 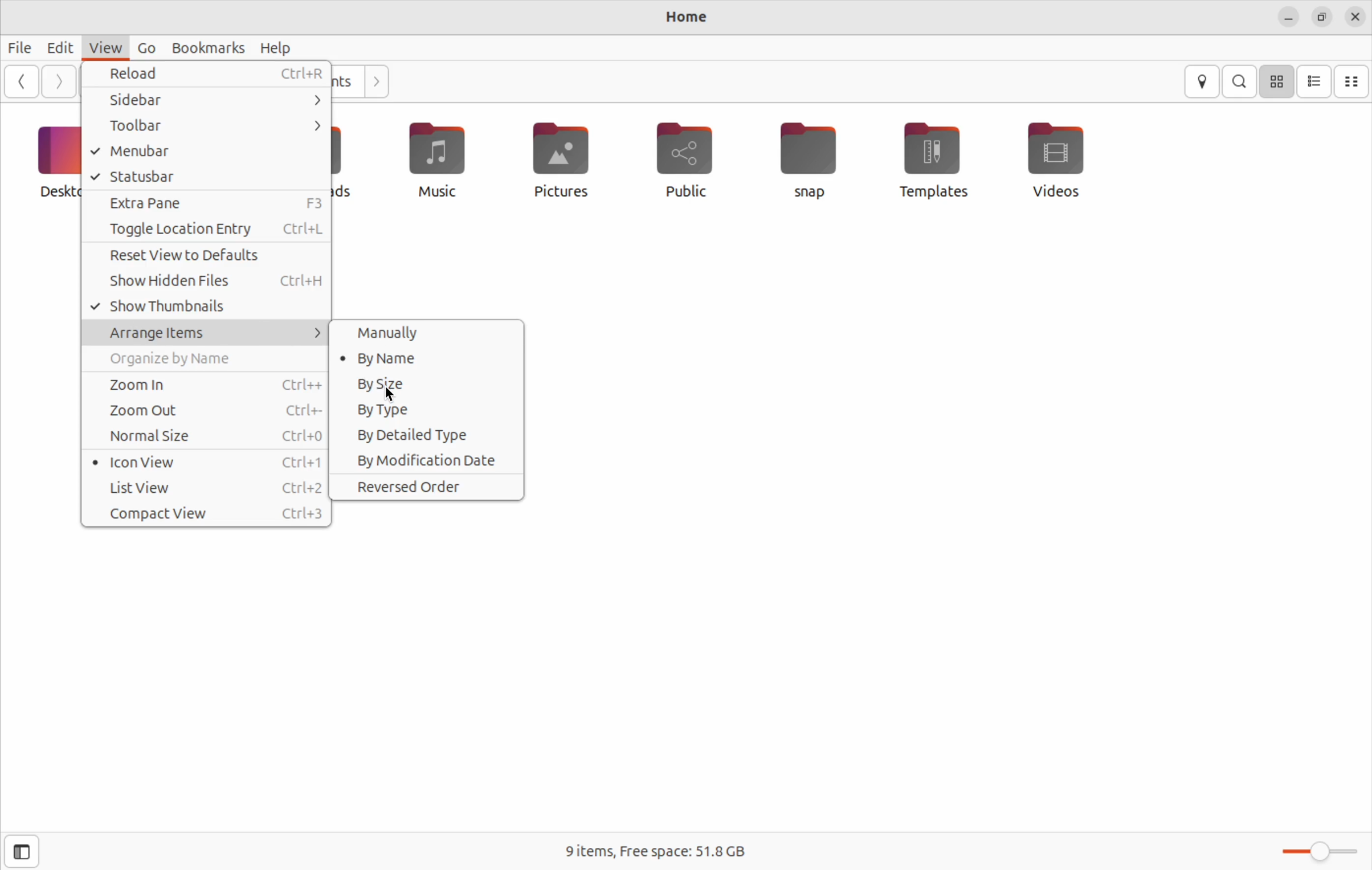 What do you see at coordinates (379, 83) in the screenshot?
I see `Go next` at bounding box center [379, 83].